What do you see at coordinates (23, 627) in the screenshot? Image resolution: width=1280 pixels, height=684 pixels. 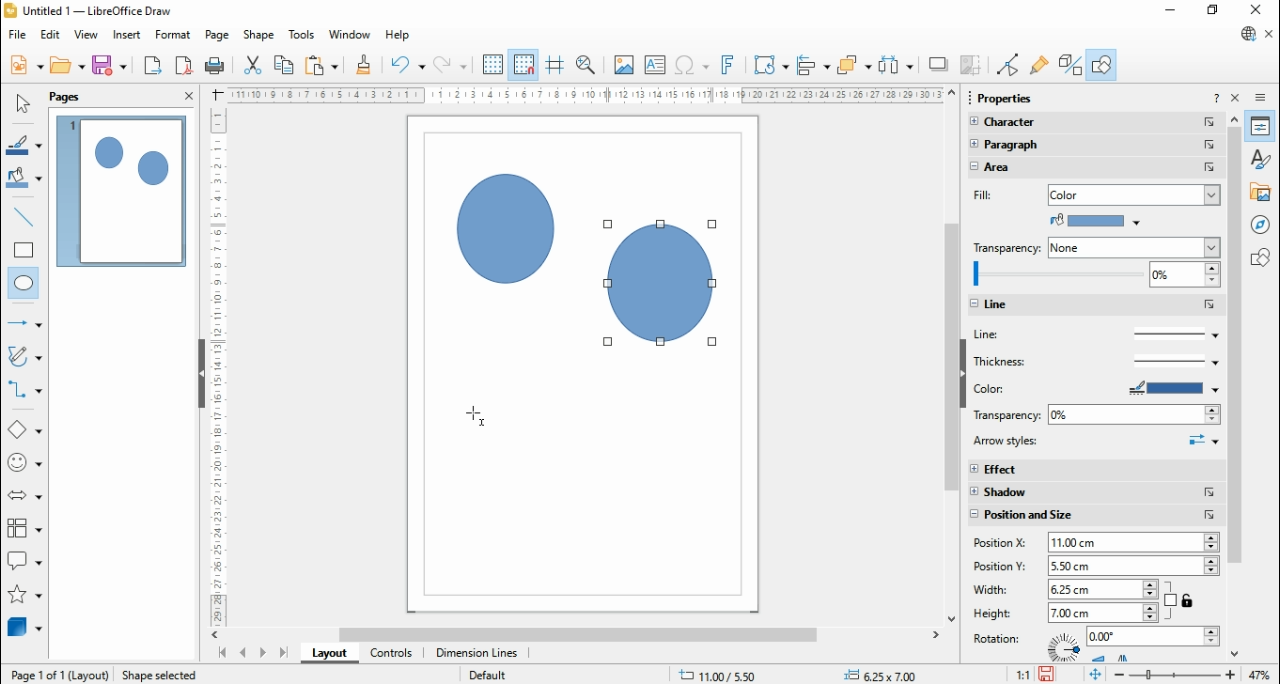 I see `3D Objects` at bounding box center [23, 627].